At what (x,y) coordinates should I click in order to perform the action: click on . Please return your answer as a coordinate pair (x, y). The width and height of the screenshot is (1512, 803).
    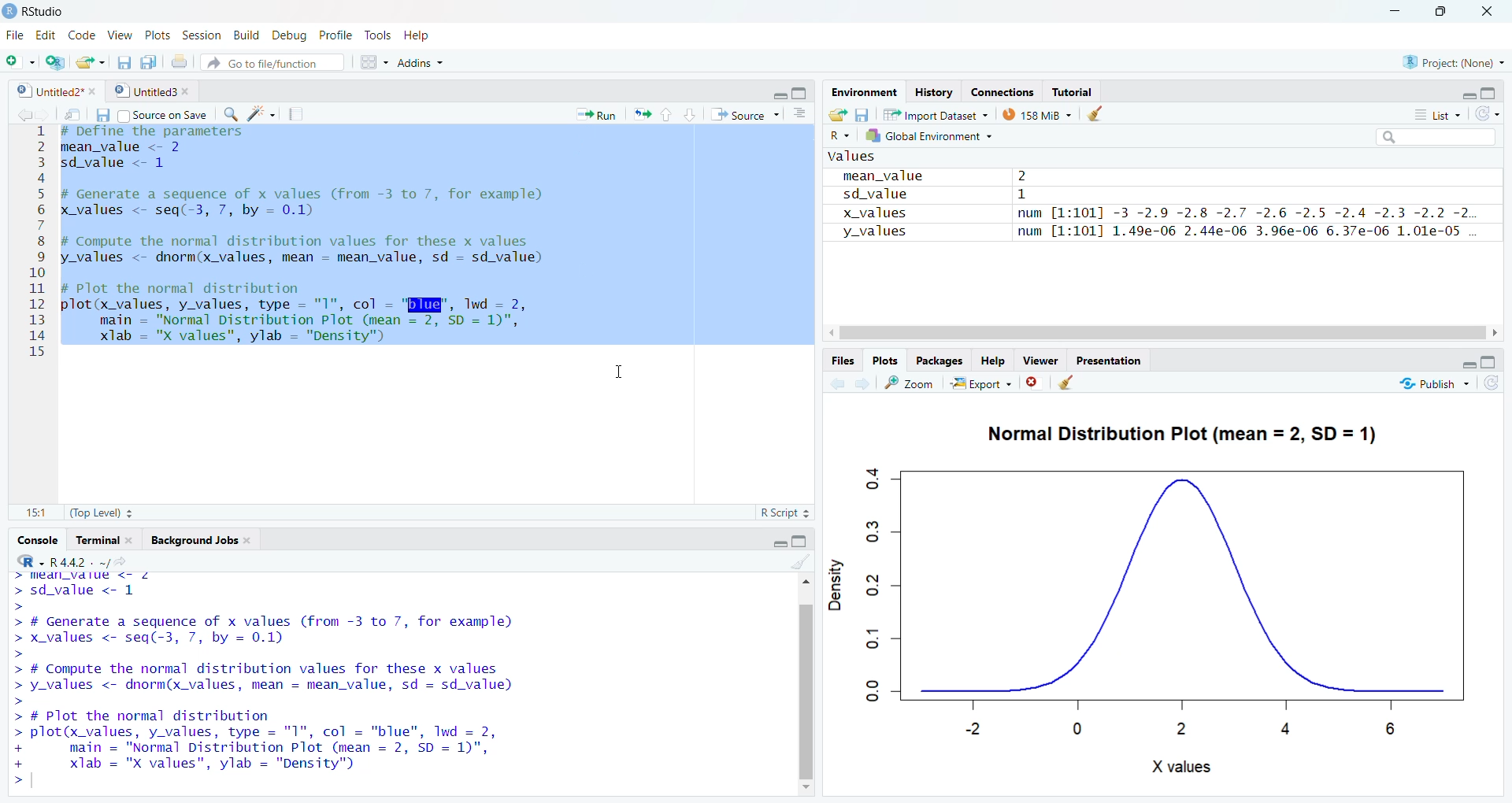
    Looking at the image, I should click on (100, 116).